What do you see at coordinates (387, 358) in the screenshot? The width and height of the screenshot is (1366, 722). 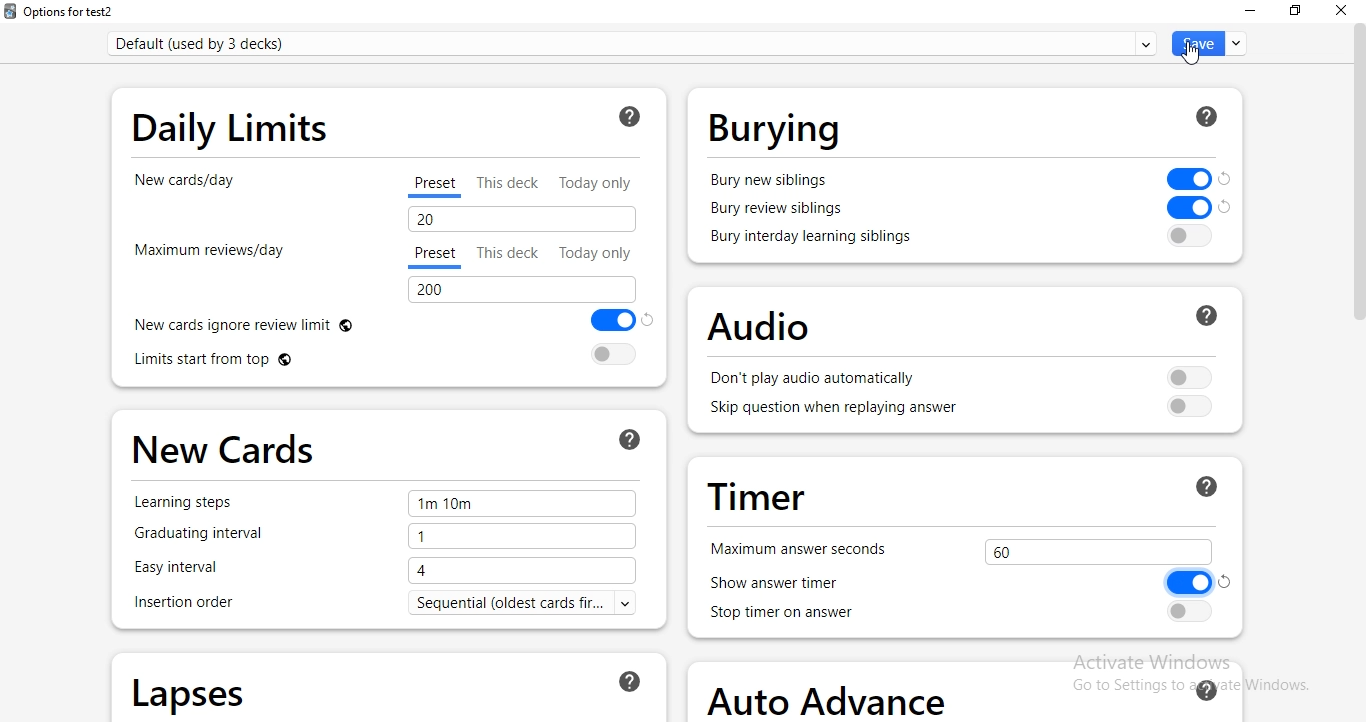 I see `limts` at bounding box center [387, 358].